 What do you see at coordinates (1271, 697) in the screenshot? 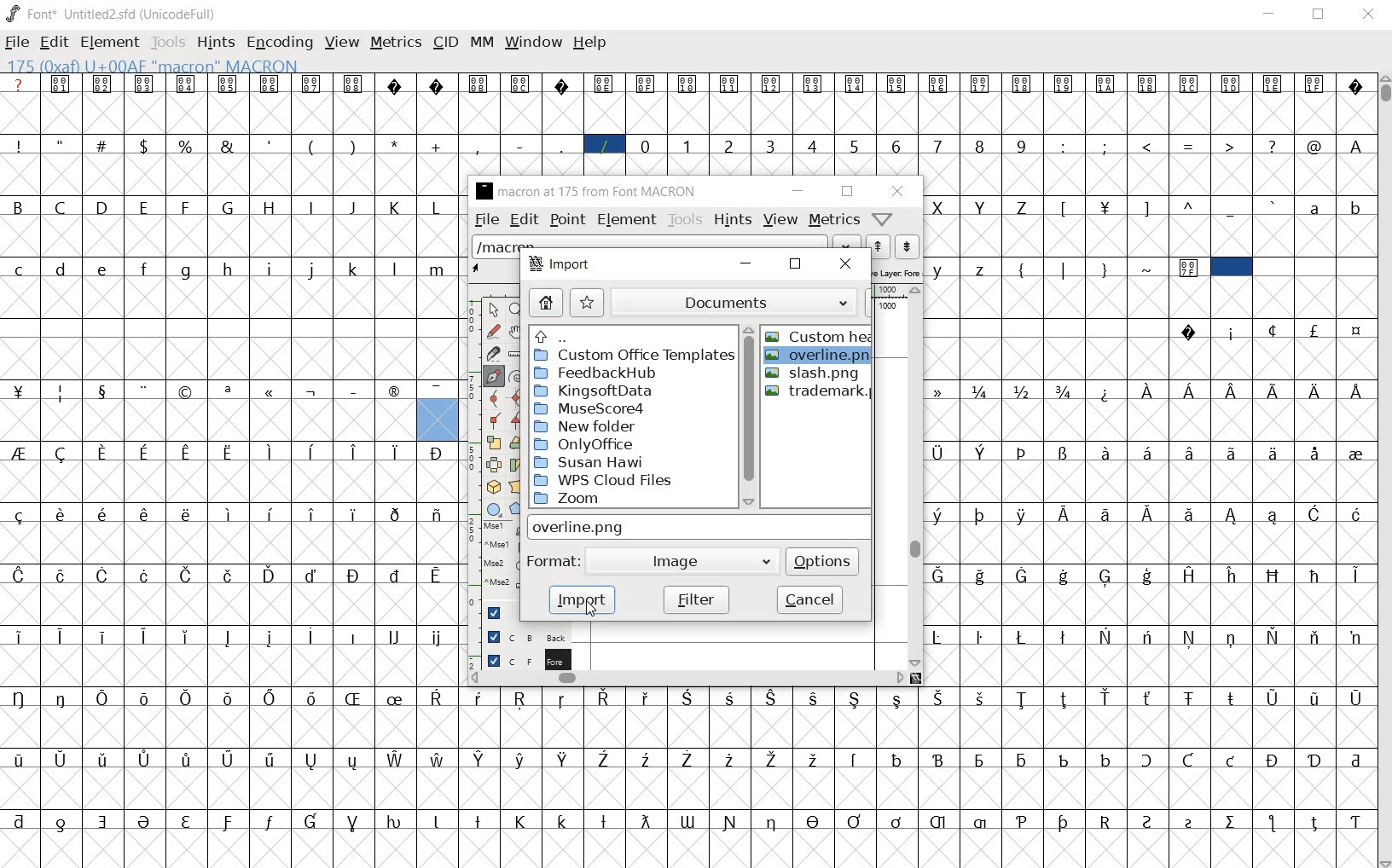
I see `` at bounding box center [1271, 697].